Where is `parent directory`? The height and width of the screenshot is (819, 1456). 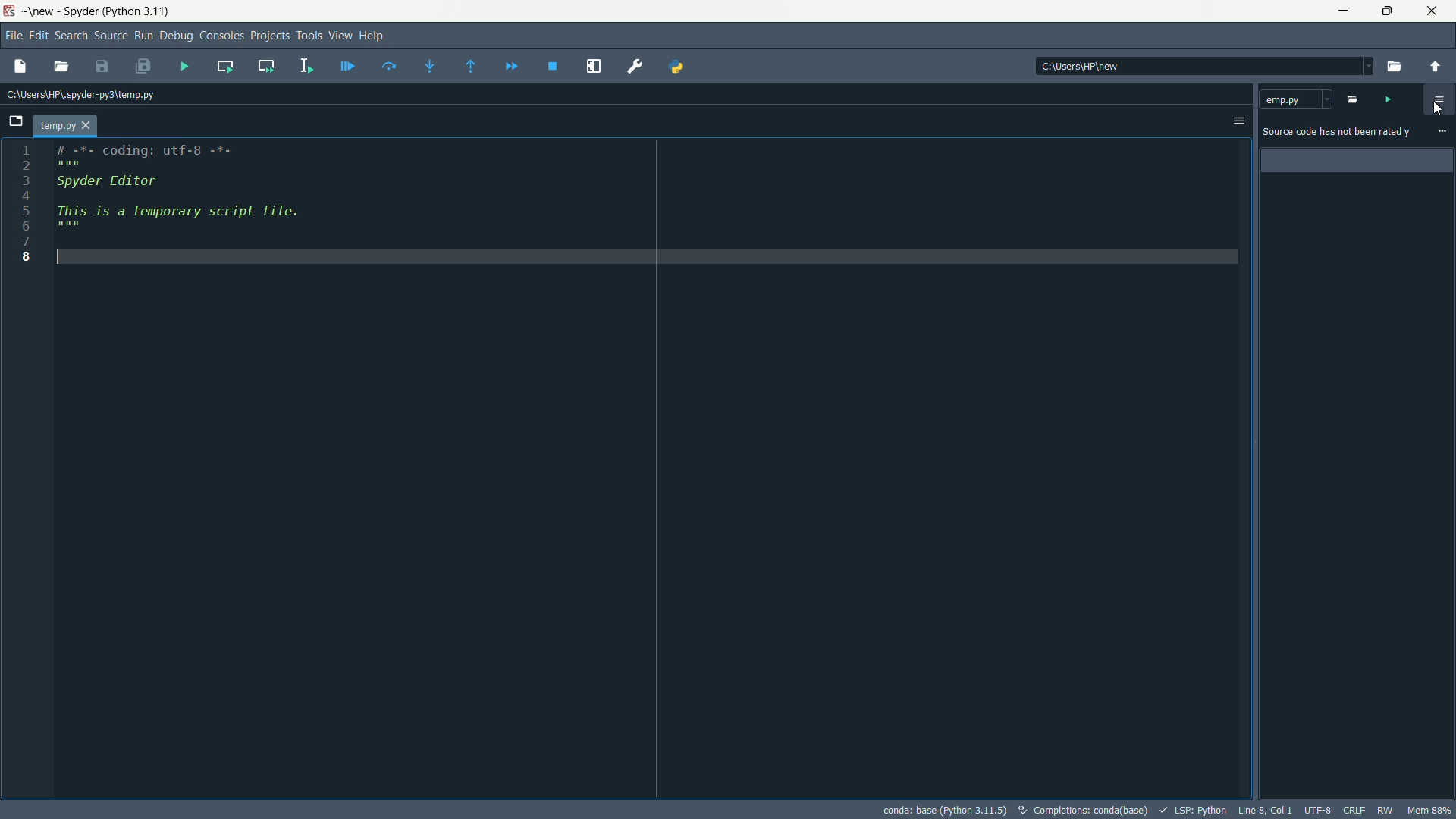
parent directory is located at coordinates (1439, 64).